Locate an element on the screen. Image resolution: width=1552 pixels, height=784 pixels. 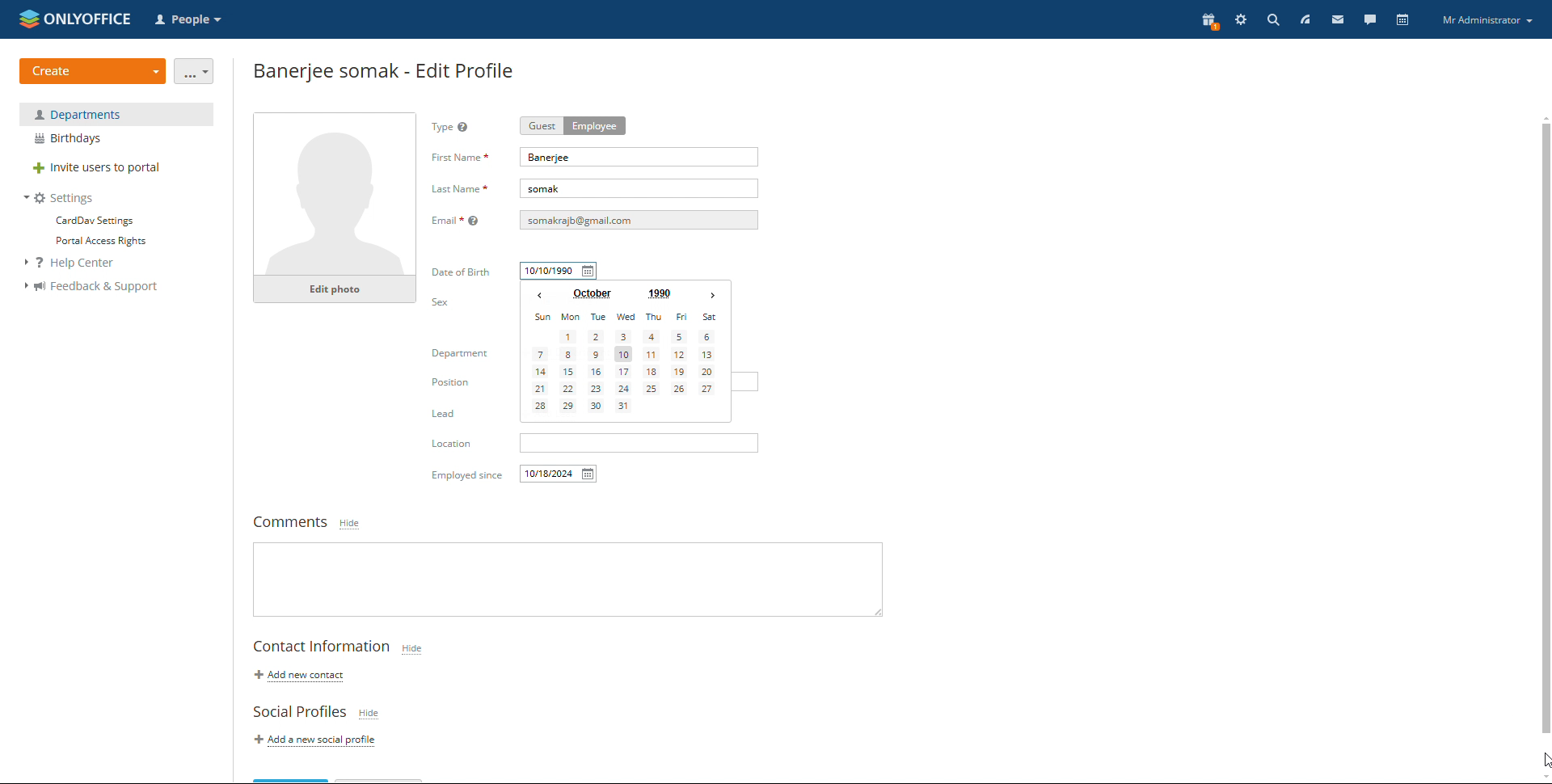
Last Name * is located at coordinates (459, 191).